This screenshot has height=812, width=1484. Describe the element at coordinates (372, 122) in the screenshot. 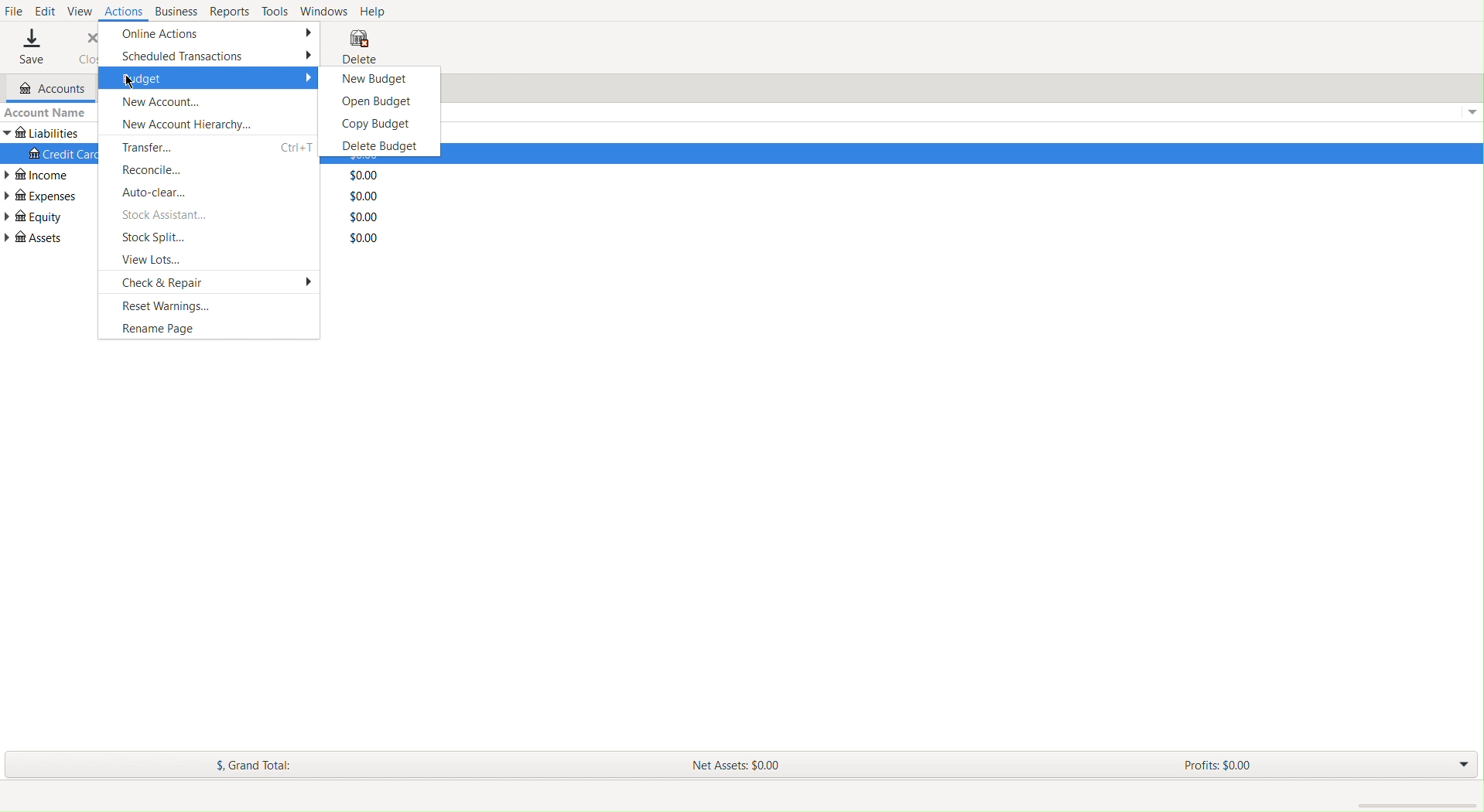

I see `Copy Budget` at that location.